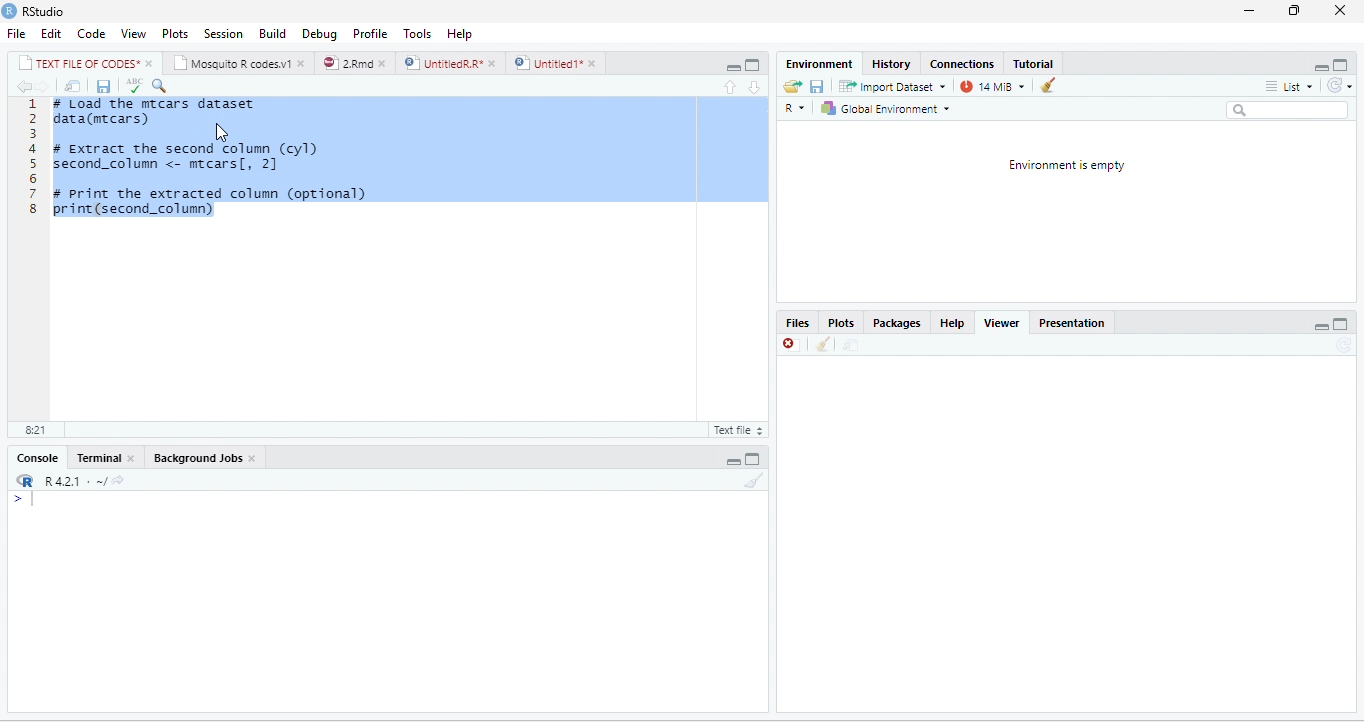 This screenshot has width=1364, height=722. I want to click on Console, so click(34, 458).